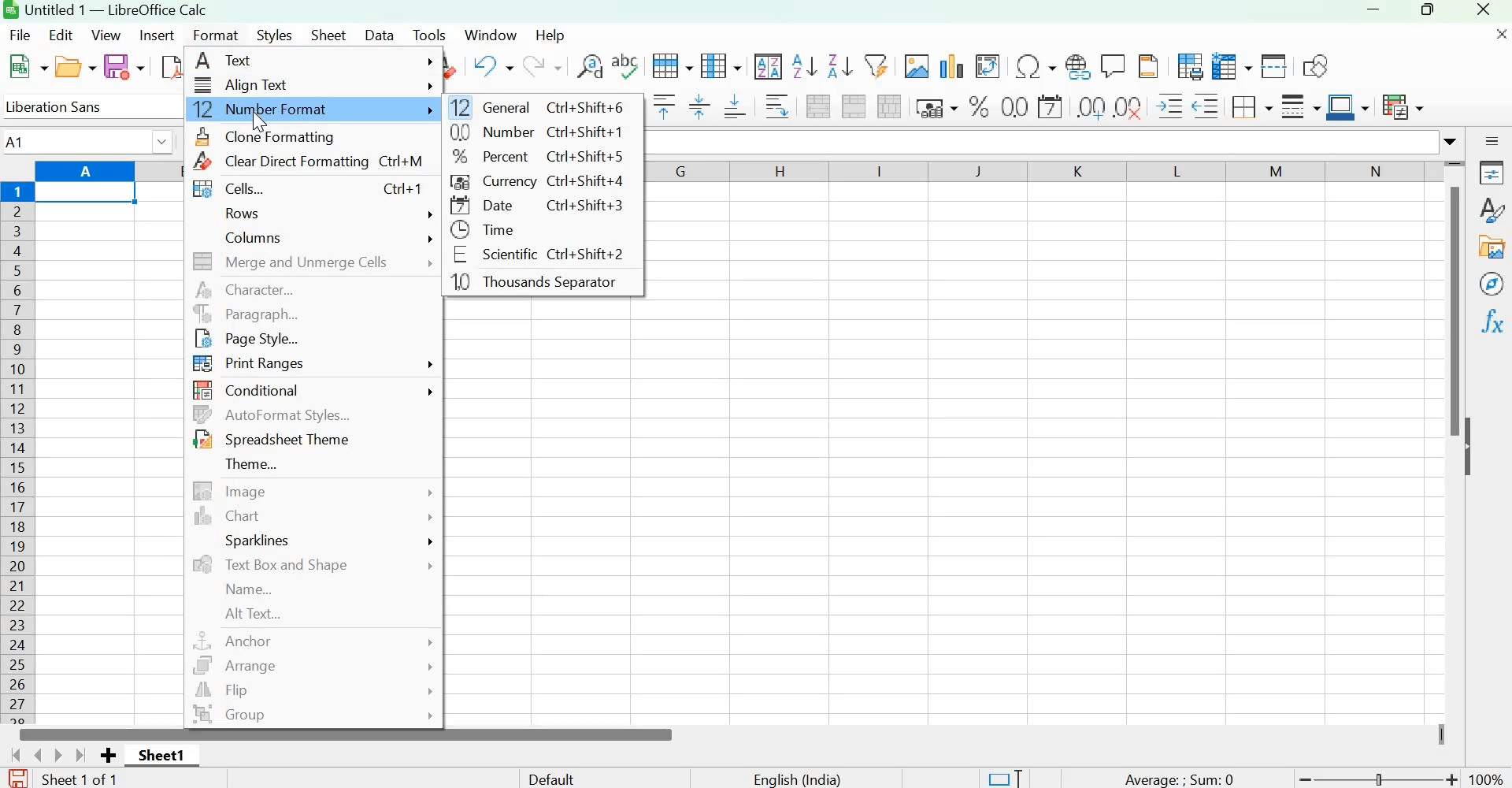 The height and width of the screenshot is (788, 1512). I want to click on Column, so click(724, 66).